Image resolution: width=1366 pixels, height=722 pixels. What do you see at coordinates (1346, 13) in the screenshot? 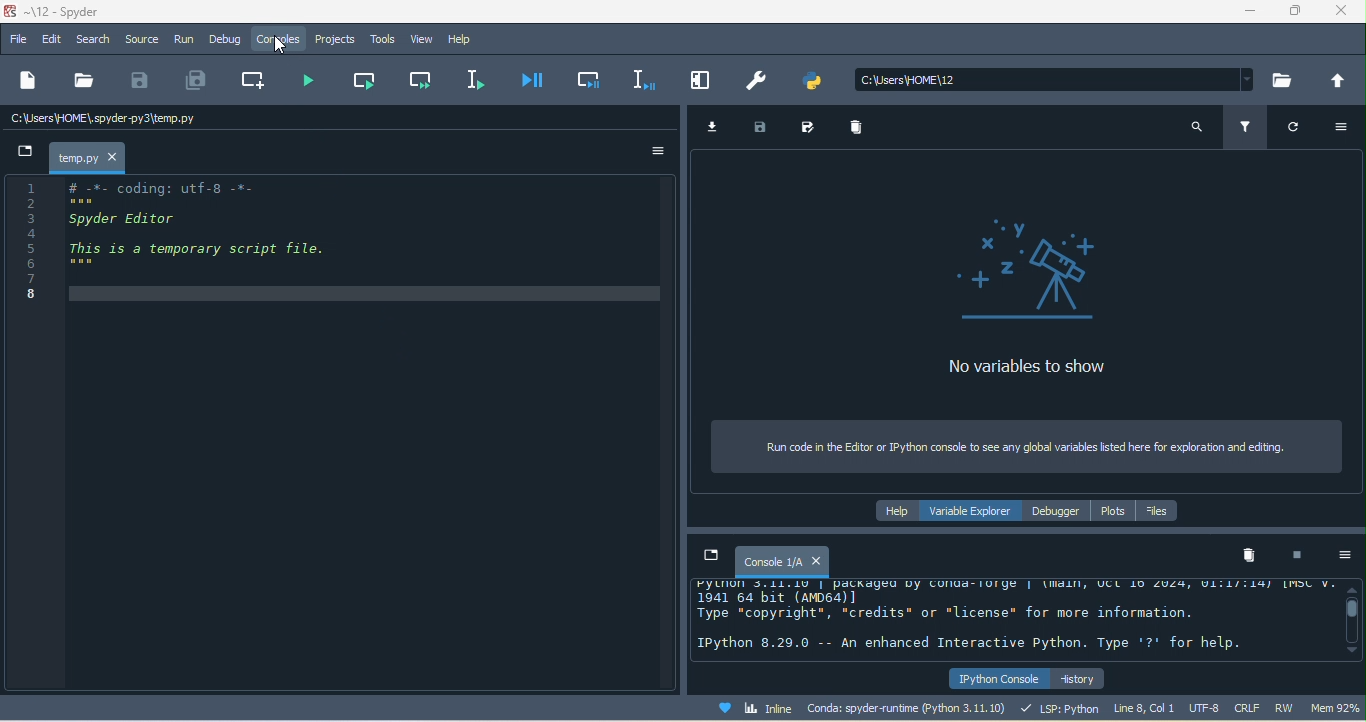
I see `close` at bounding box center [1346, 13].